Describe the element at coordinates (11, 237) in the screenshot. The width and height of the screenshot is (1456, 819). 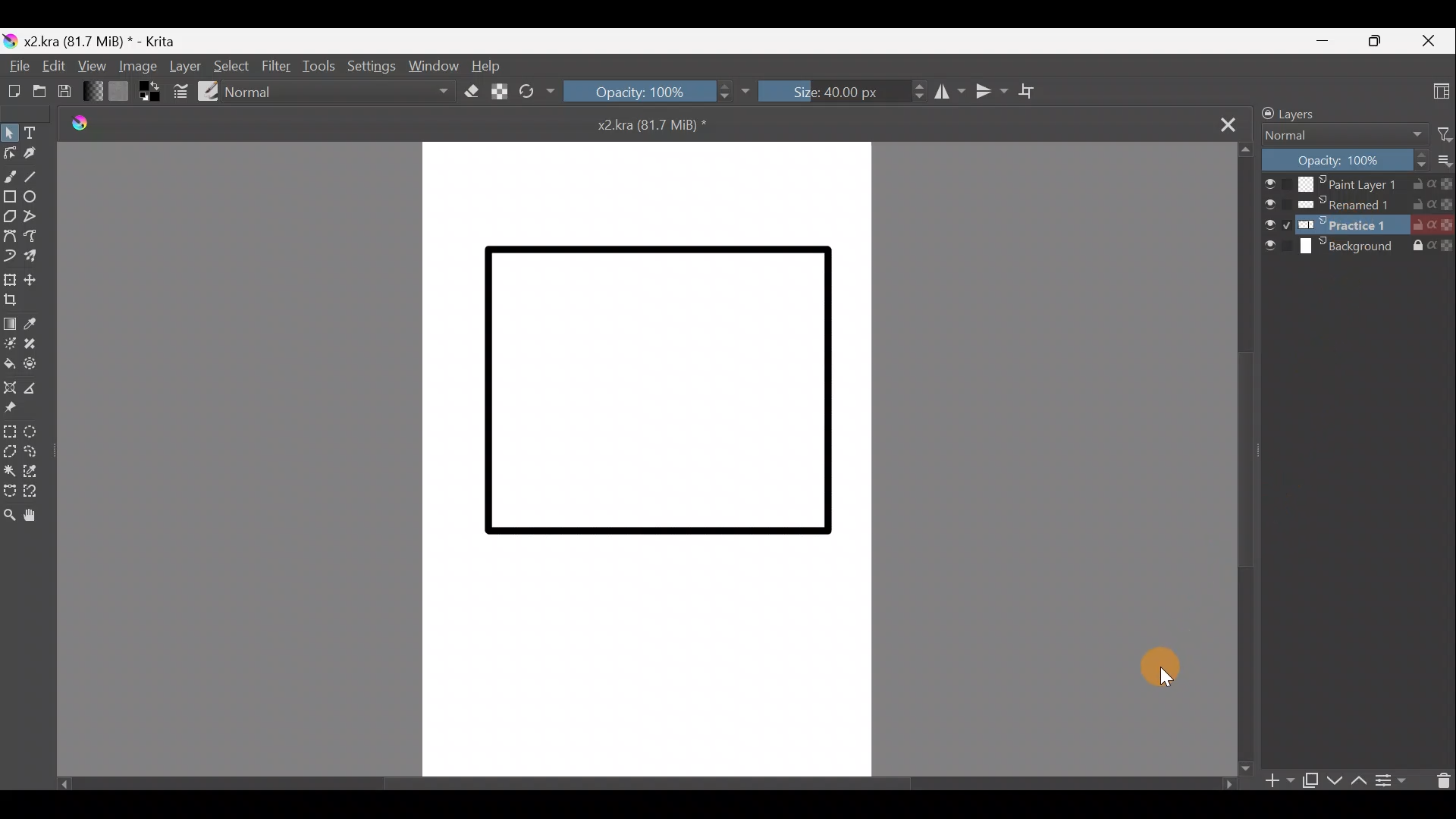
I see `Bezier curve tool` at that location.